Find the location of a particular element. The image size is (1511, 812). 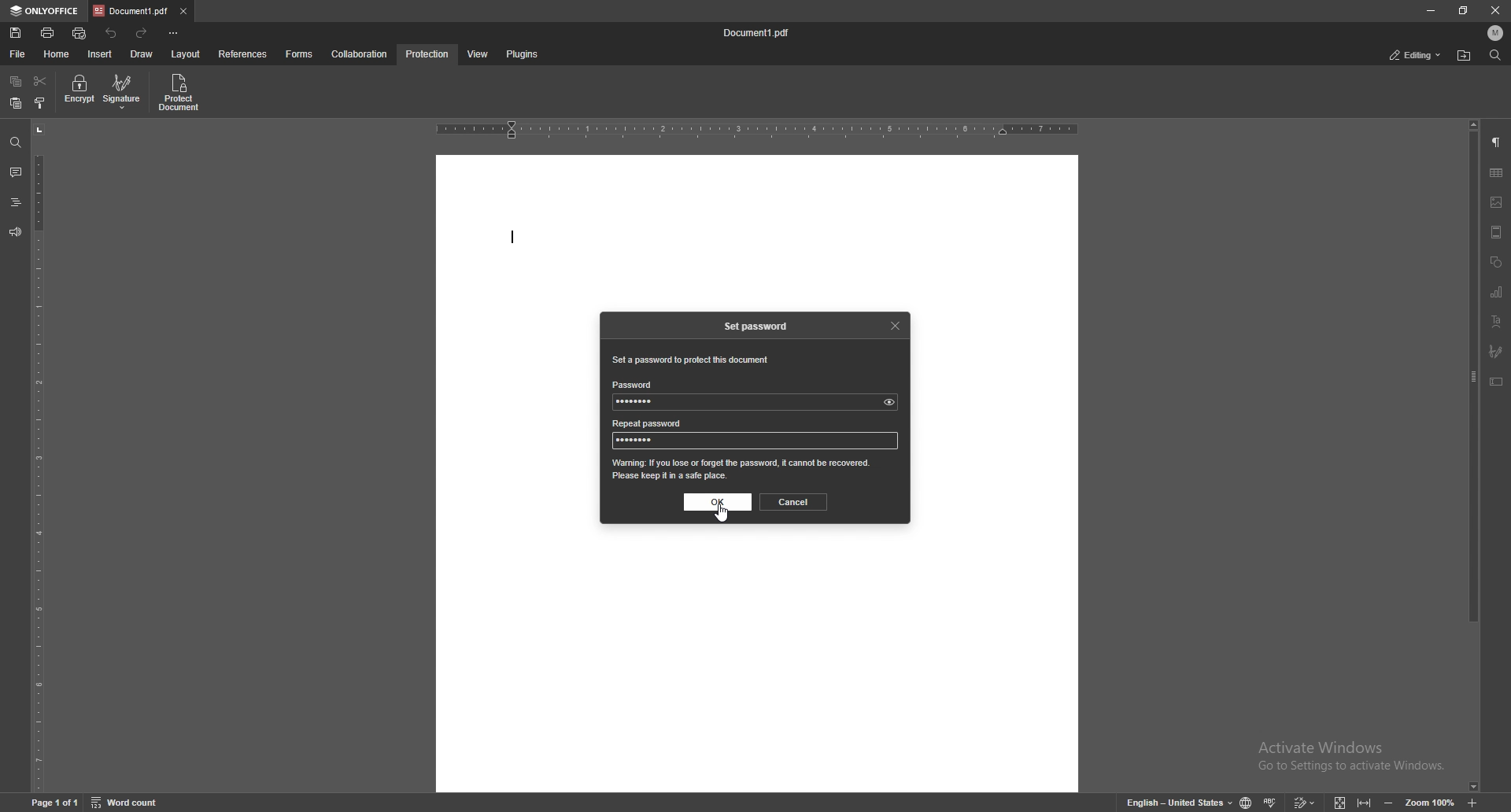

find is located at coordinates (1494, 55).